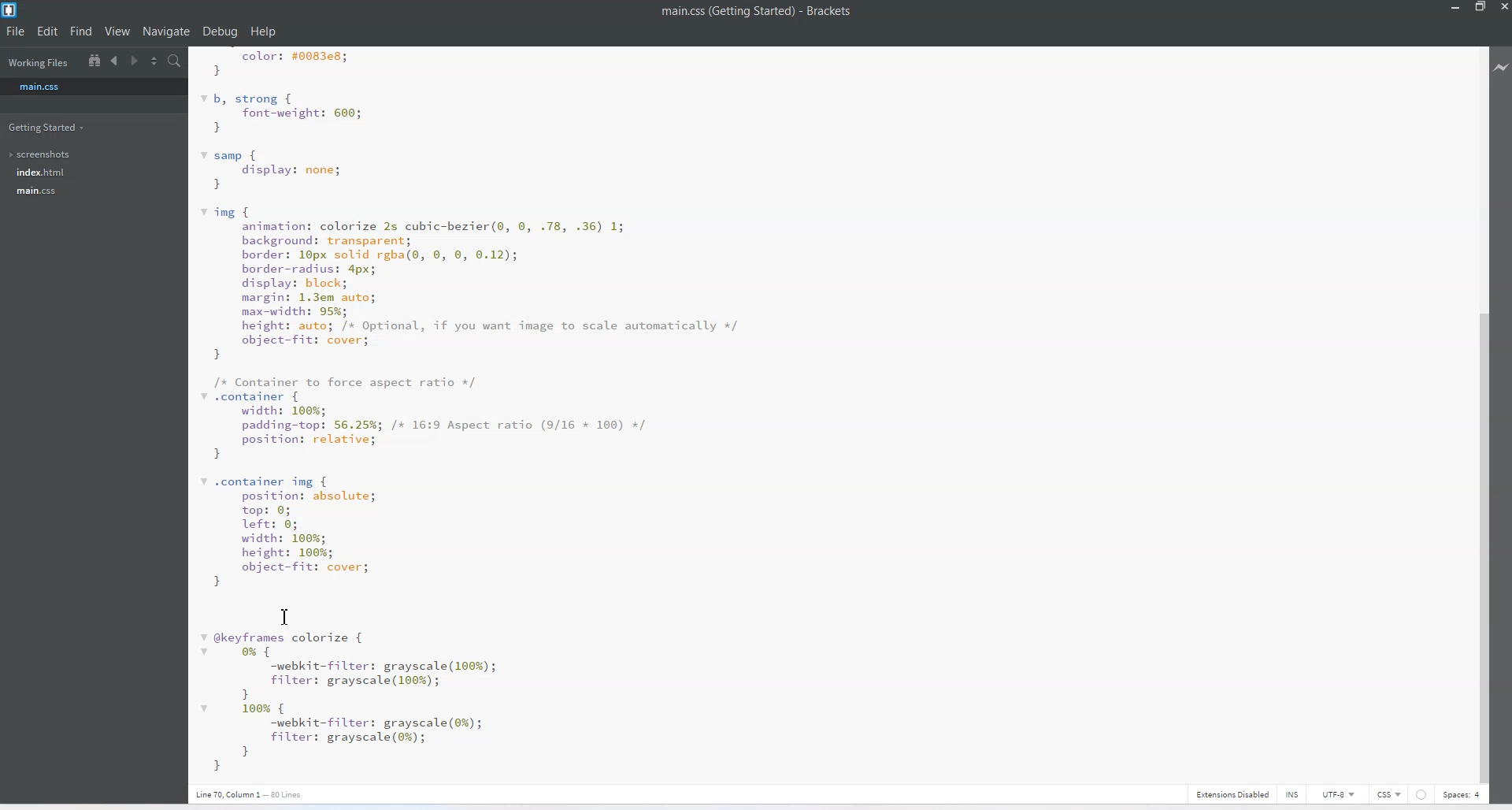 The width and height of the screenshot is (1512, 810). Describe the element at coordinates (285, 616) in the screenshot. I see `Text Cursor` at that location.